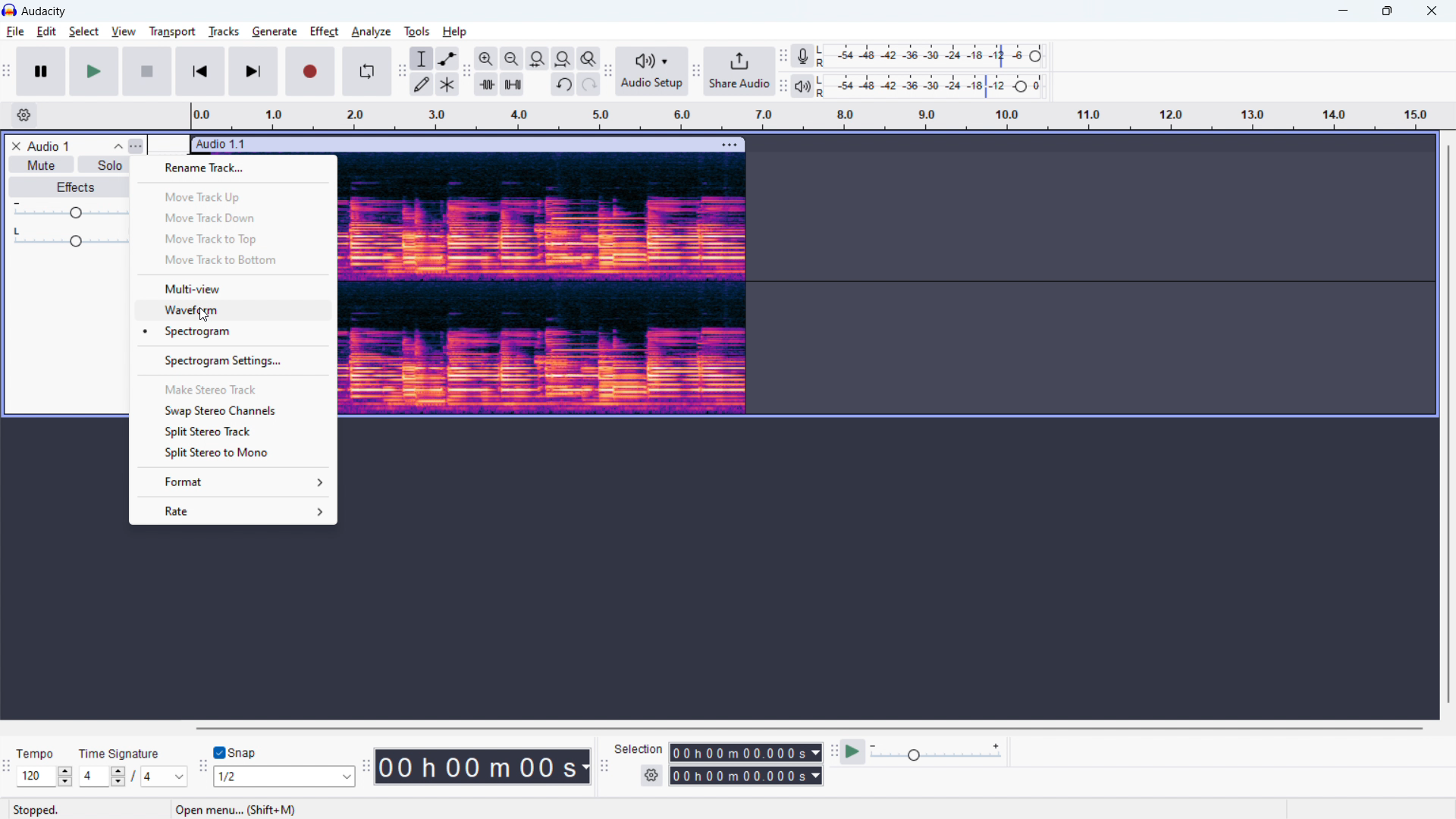 The image size is (1456, 819). Describe the element at coordinates (65, 783) in the screenshot. I see `decrease tempo` at that location.